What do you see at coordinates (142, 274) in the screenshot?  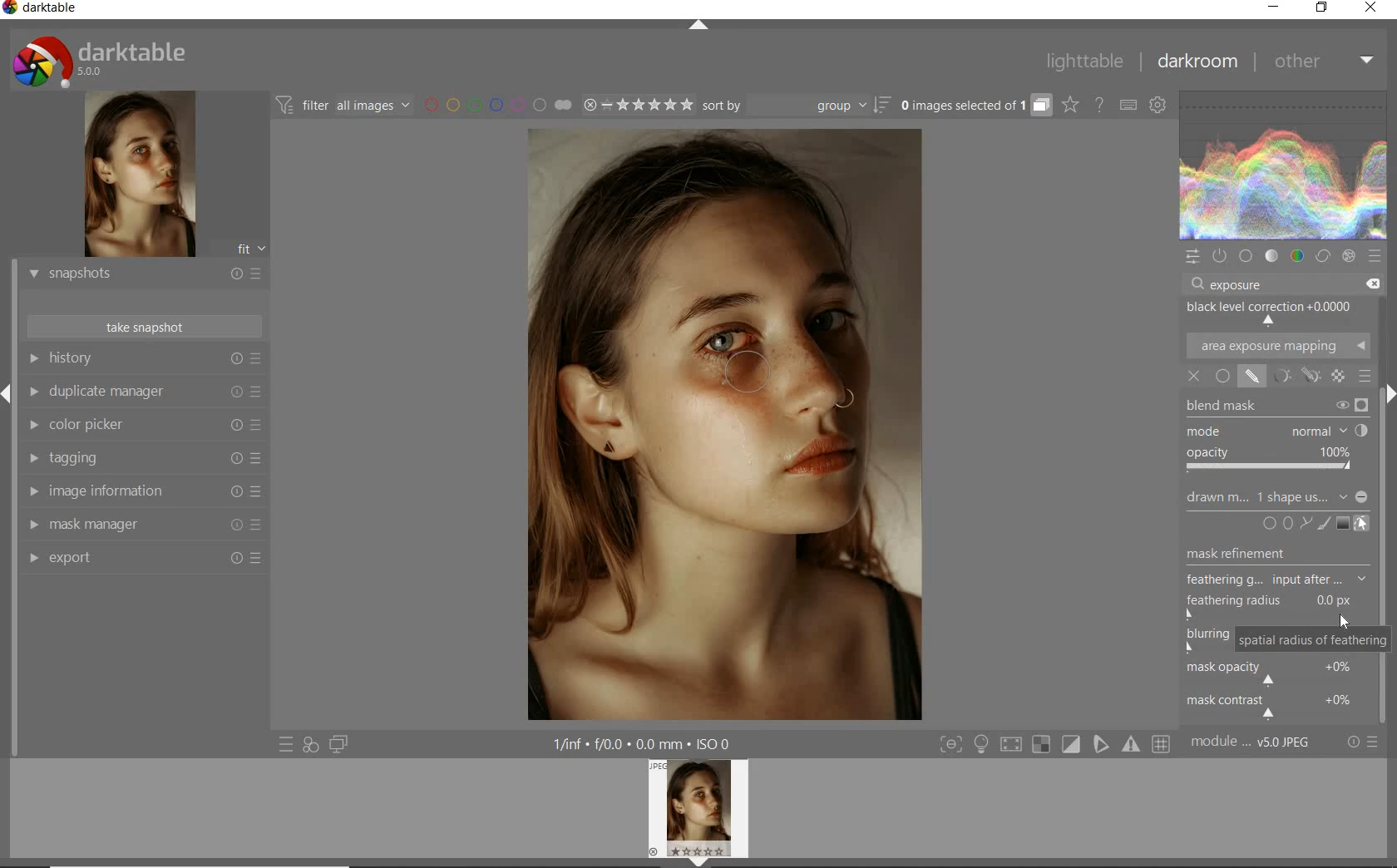 I see `snapshots` at bounding box center [142, 274].